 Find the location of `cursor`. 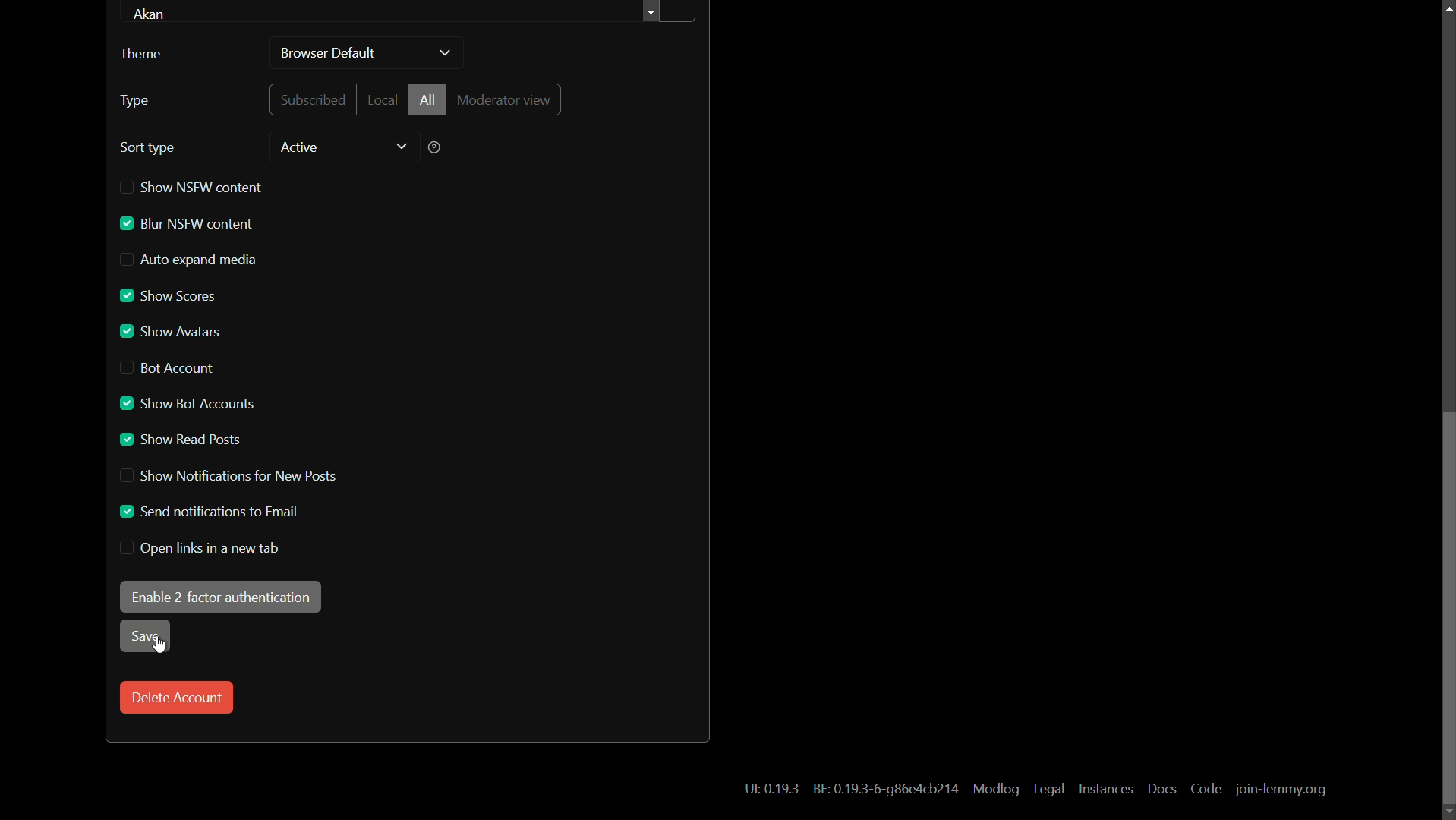

cursor is located at coordinates (159, 646).